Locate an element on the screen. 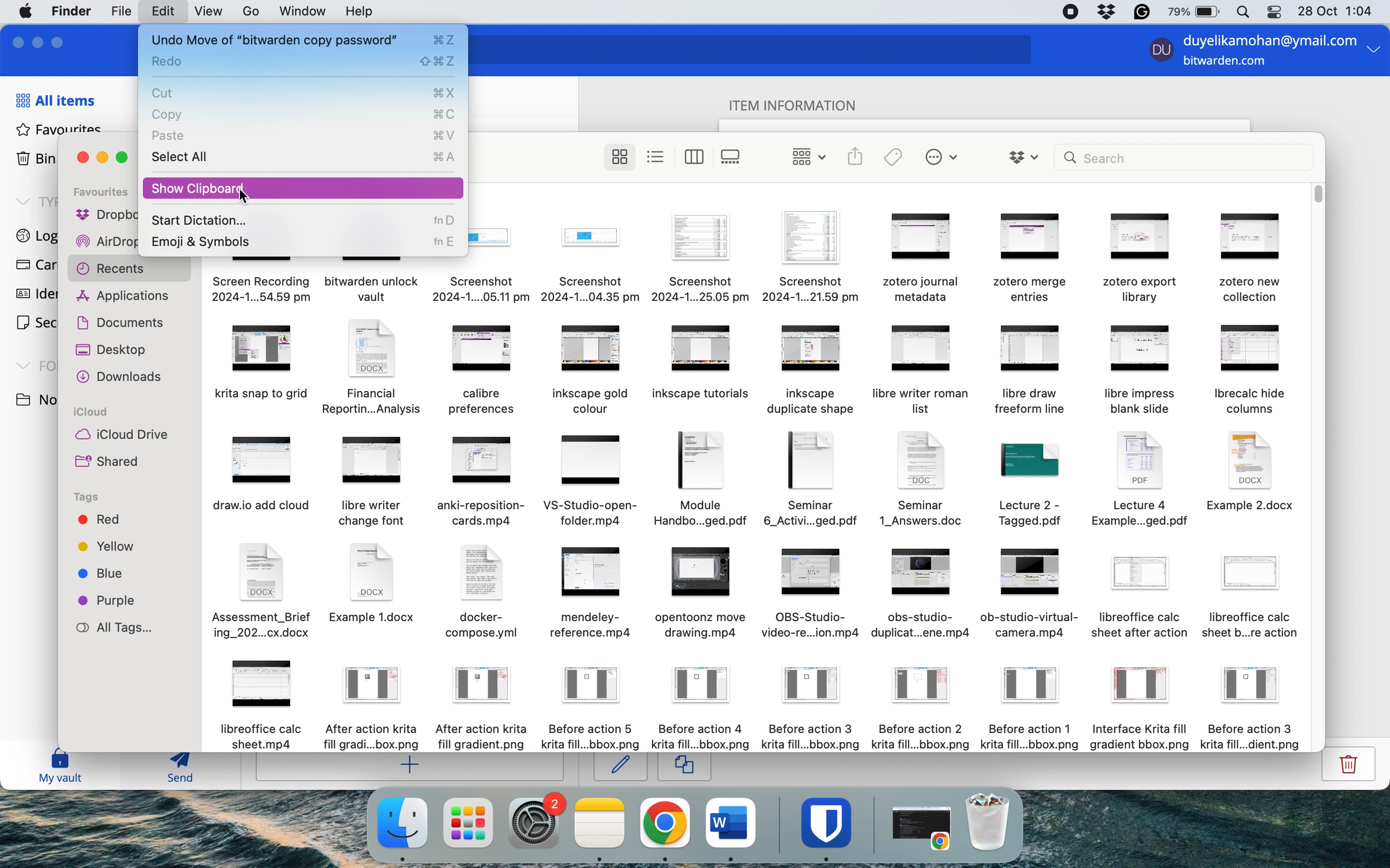 This screenshot has width=1390, height=868. file is located at coordinates (119, 12).